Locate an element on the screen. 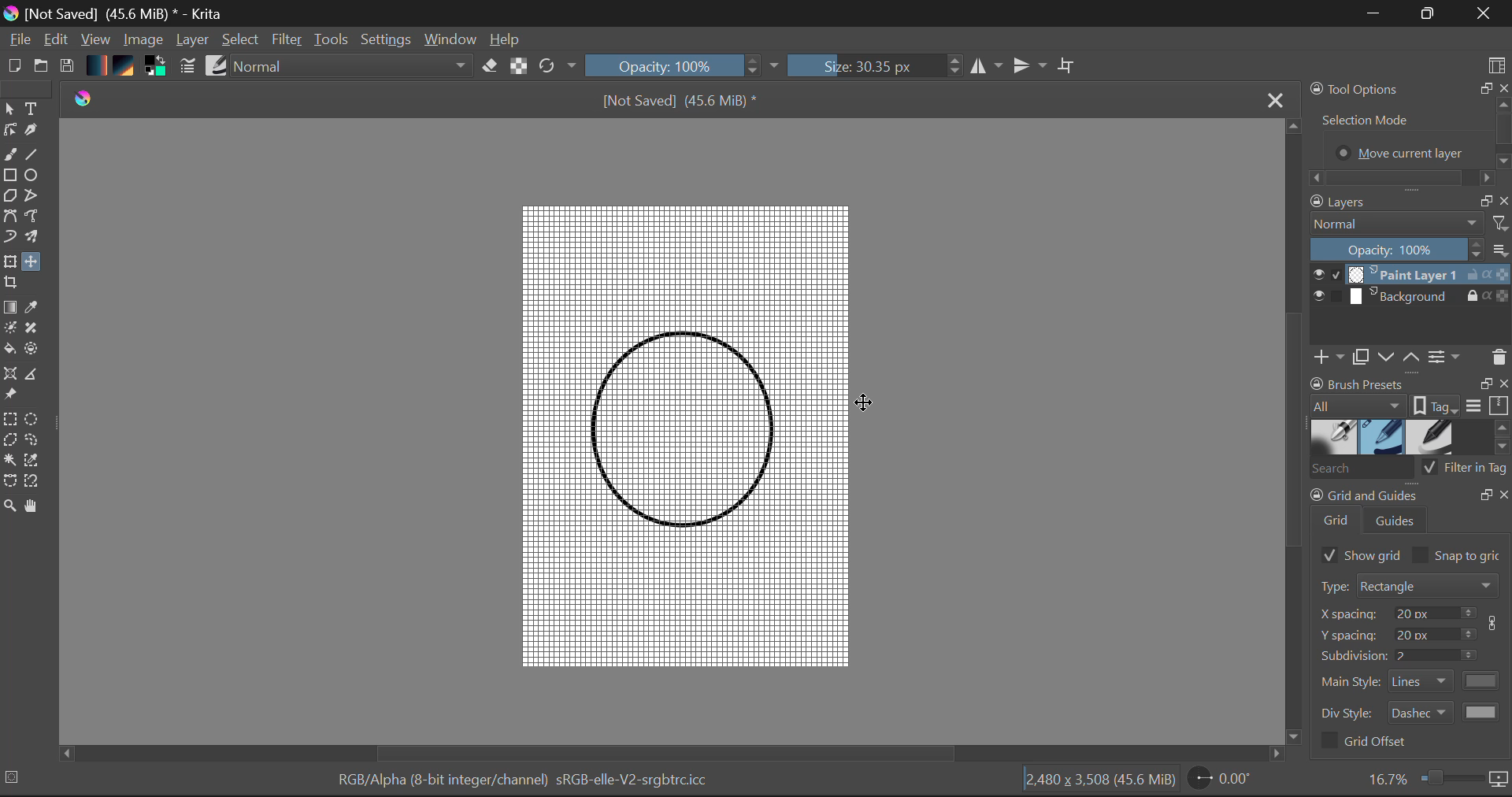  Bezier Curve Selection is located at coordinates (9, 480).